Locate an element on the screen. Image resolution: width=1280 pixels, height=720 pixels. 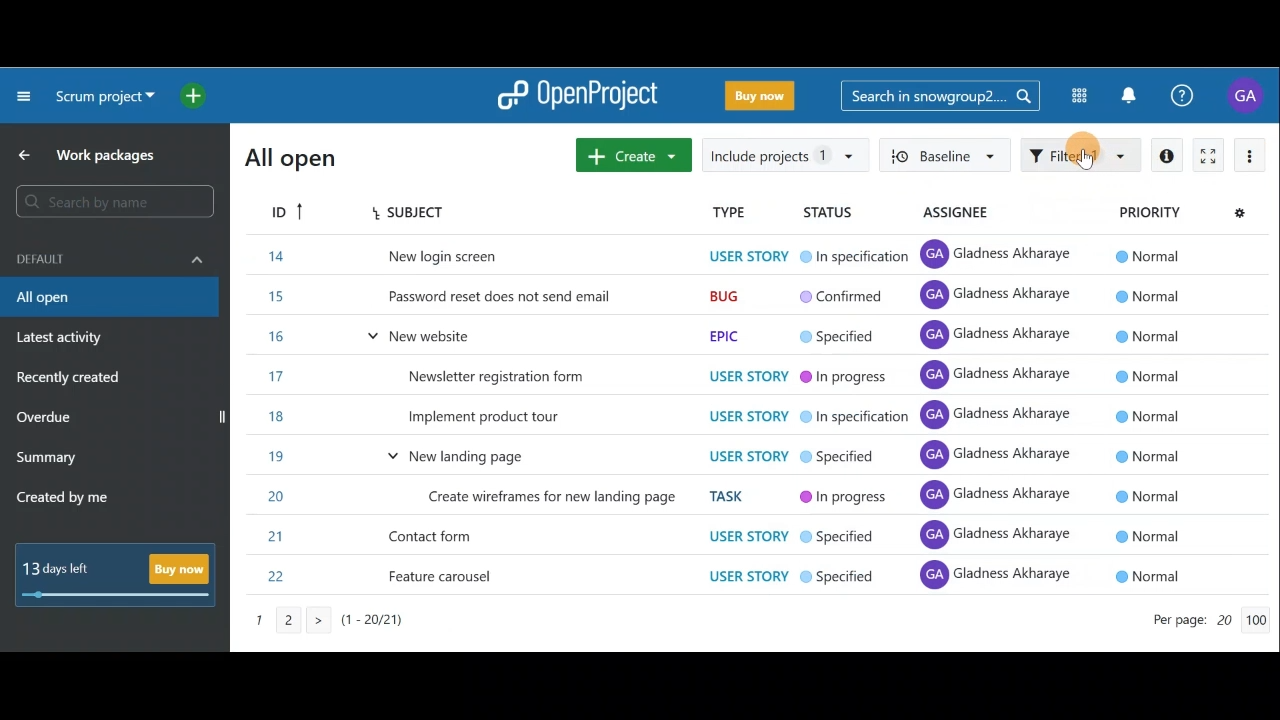
Buy now is located at coordinates (764, 99).